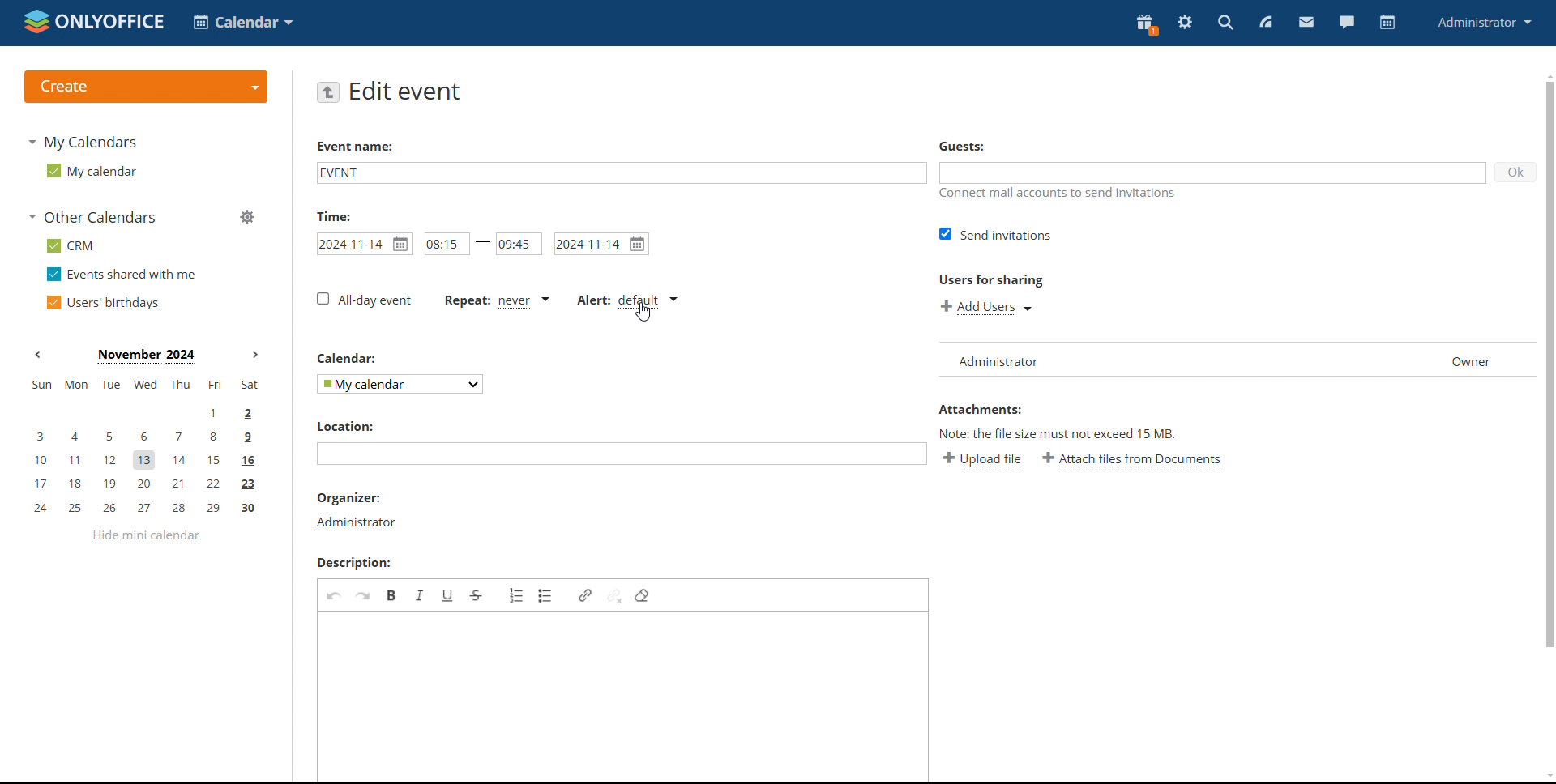 The height and width of the screenshot is (784, 1556). What do you see at coordinates (614, 595) in the screenshot?
I see `unlink` at bounding box center [614, 595].